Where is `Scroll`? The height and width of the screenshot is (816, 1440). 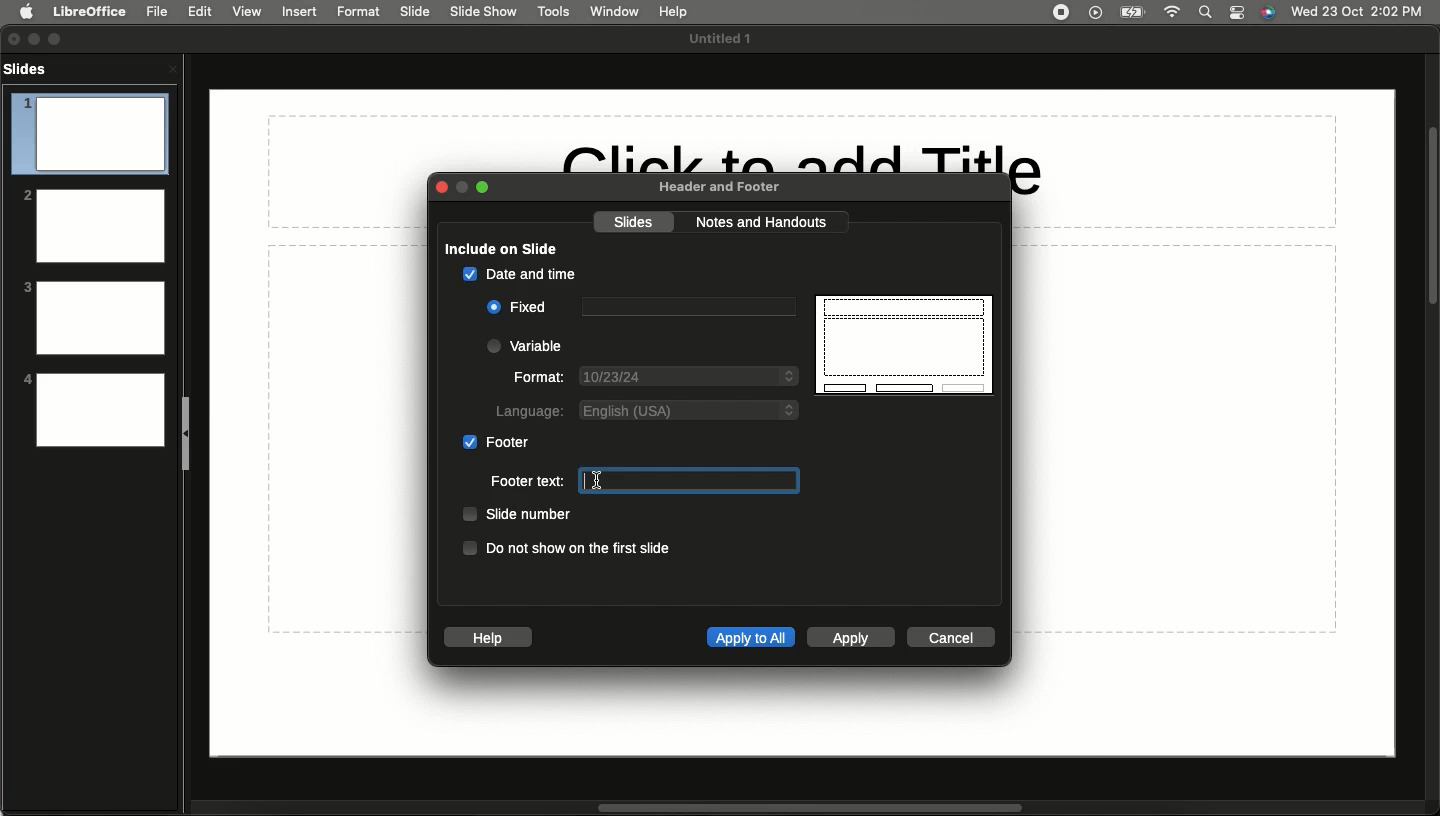
Scroll is located at coordinates (1431, 217).